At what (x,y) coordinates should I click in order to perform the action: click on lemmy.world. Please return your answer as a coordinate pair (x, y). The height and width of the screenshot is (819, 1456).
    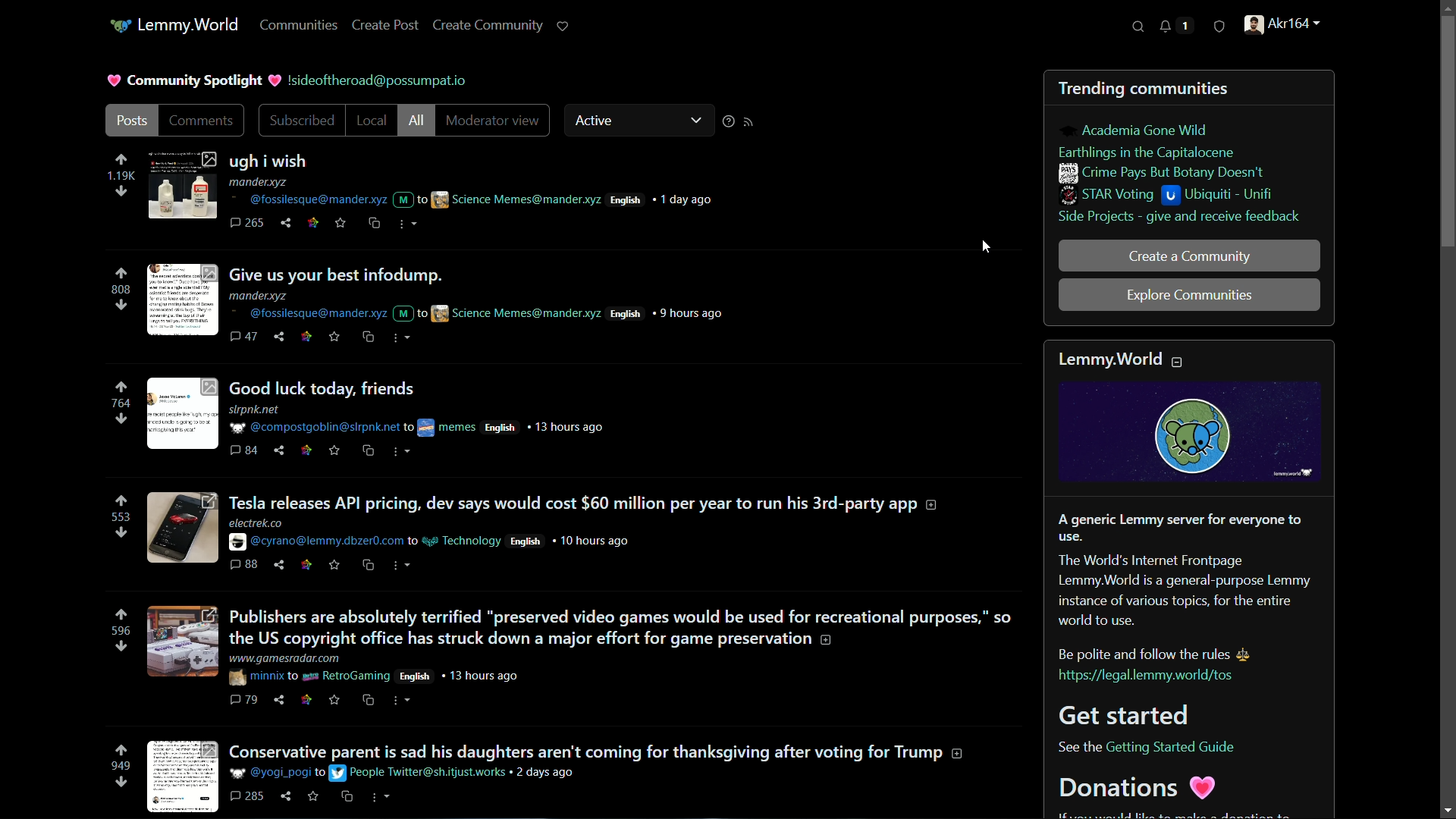
    Looking at the image, I should click on (174, 27).